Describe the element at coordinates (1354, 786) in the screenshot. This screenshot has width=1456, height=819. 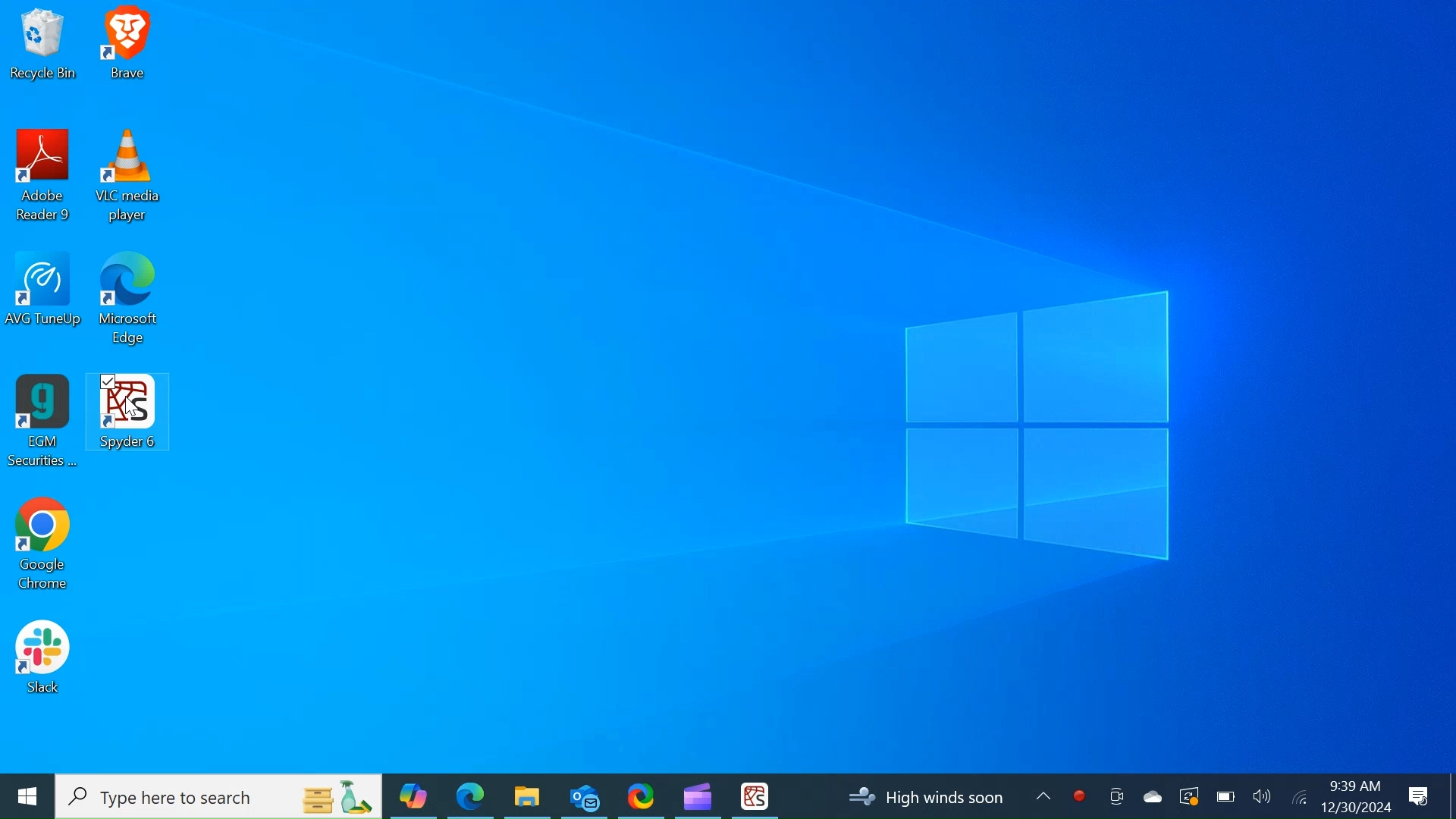
I see `9:39 AM` at that location.